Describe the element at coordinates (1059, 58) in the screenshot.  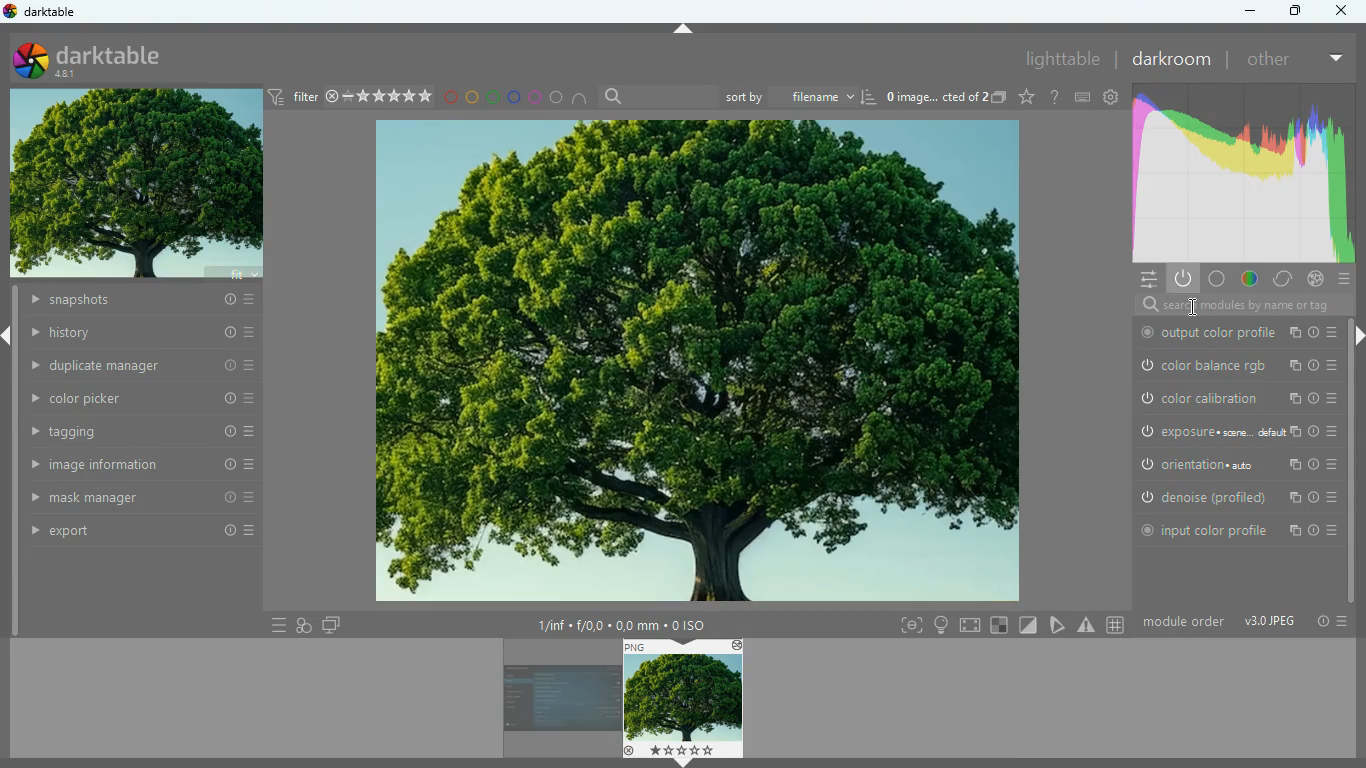
I see `lighttable` at that location.